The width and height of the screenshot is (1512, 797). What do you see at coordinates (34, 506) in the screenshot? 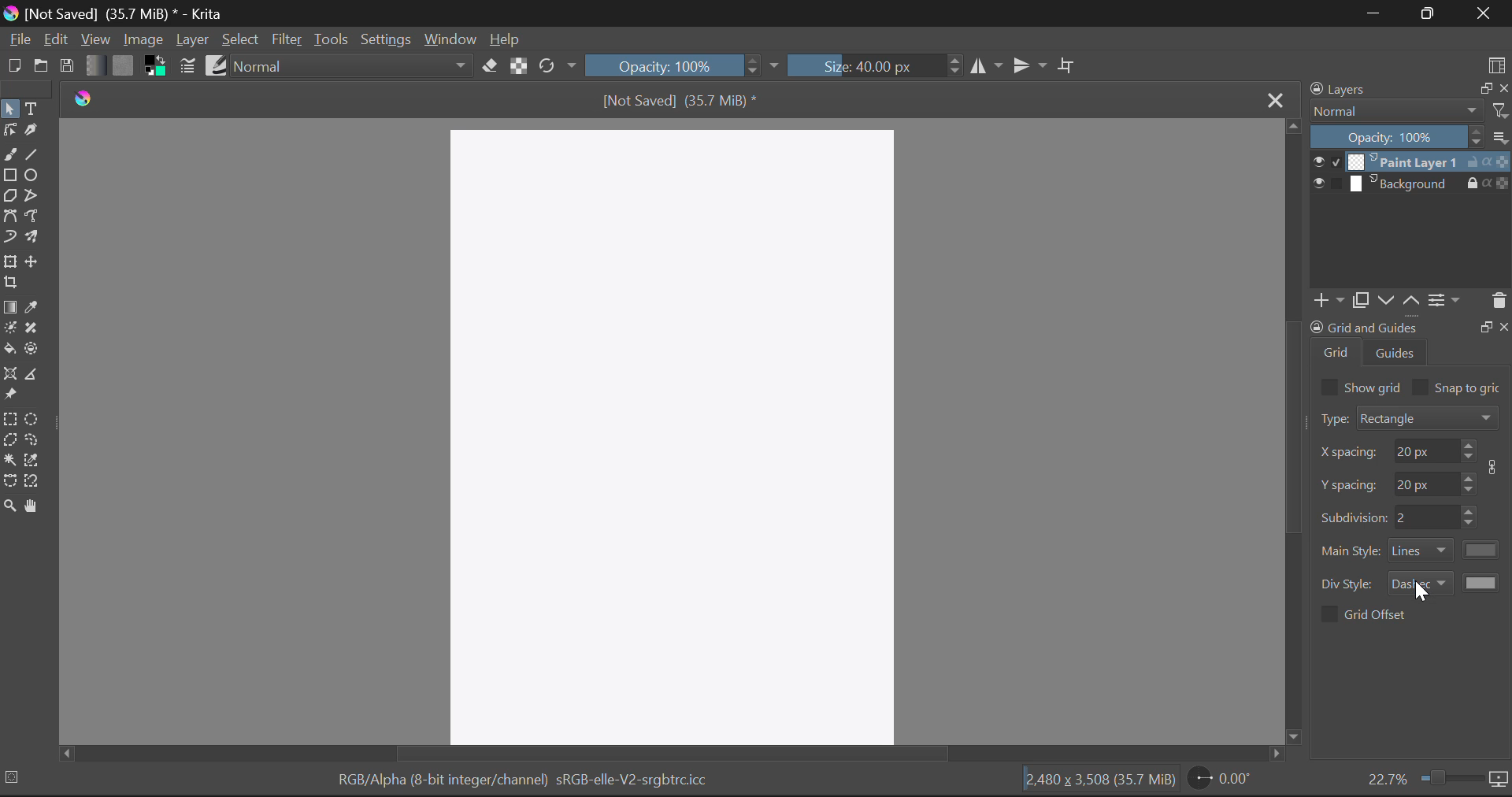
I see `Pan` at bounding box center [34, 506].